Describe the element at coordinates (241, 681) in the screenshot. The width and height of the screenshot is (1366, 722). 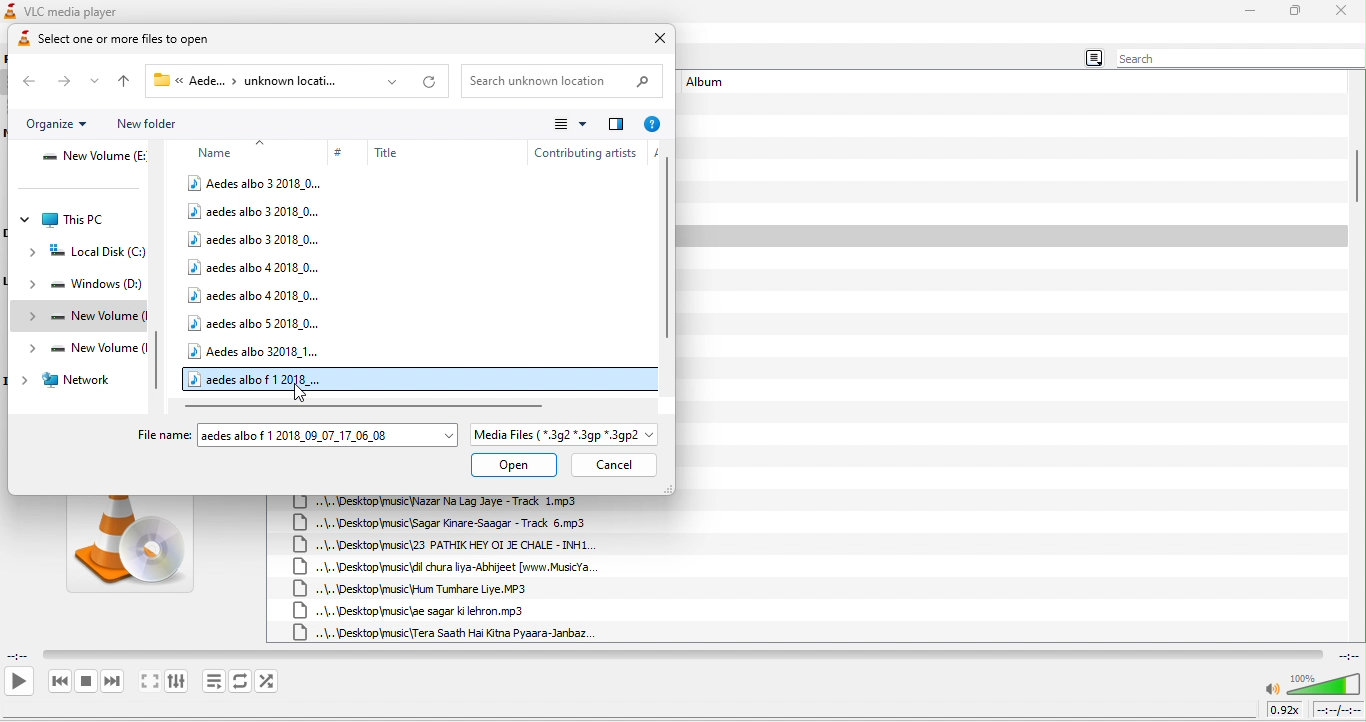
I see `toggle between loop all` at that location.